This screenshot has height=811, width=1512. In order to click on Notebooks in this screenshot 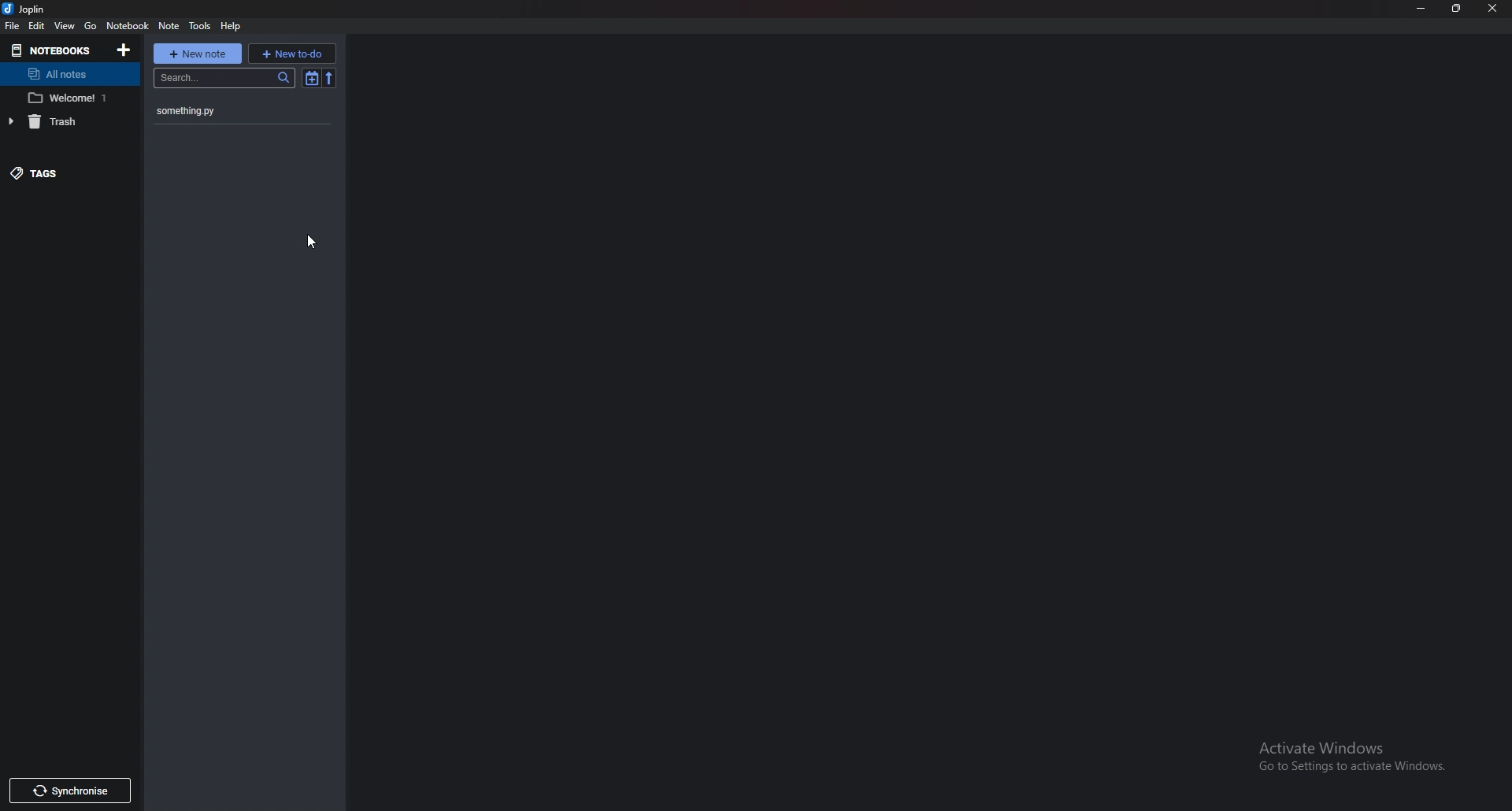, I will do `click(52, 50)`.